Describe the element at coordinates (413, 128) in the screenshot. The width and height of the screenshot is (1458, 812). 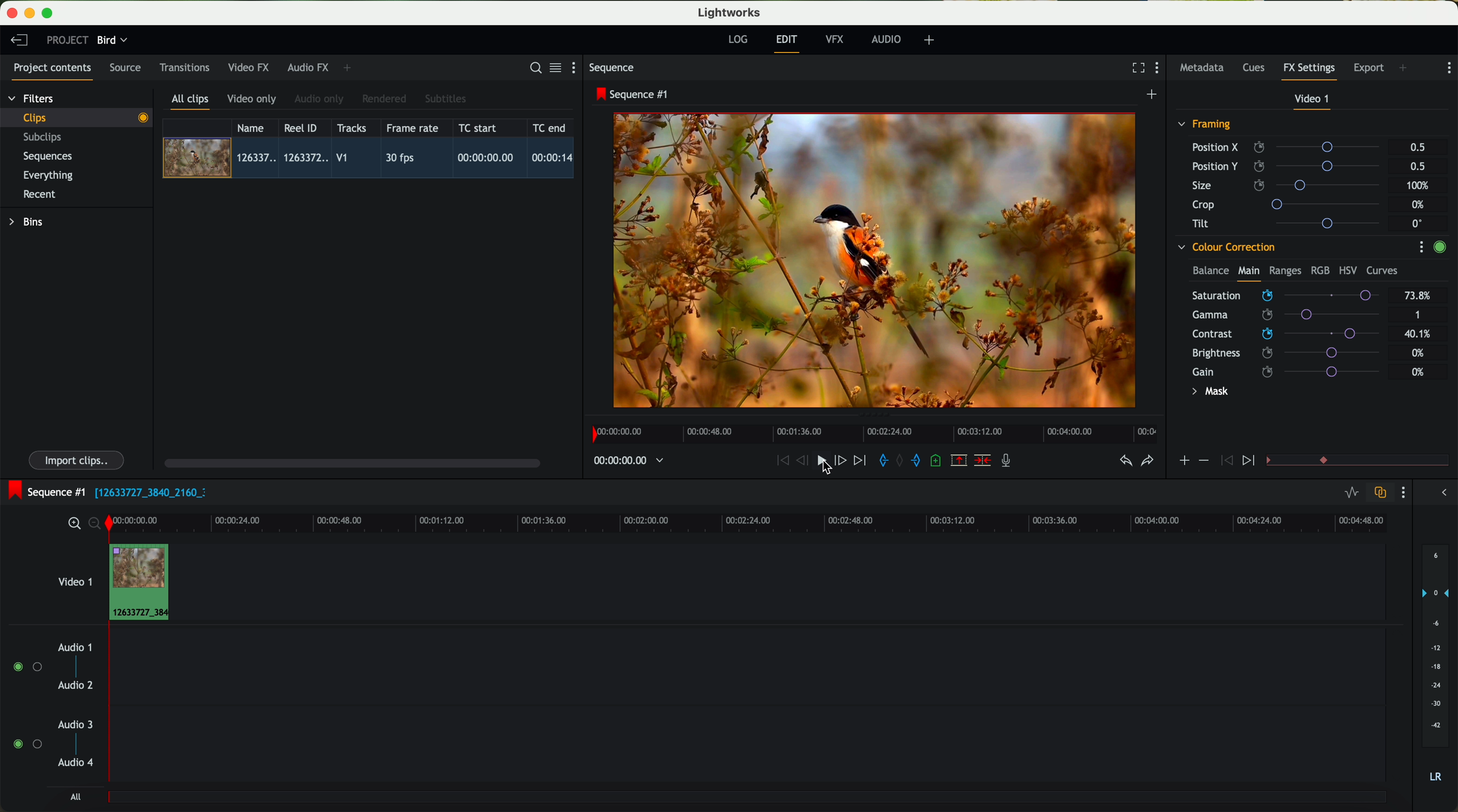
I see `frame rate` at that location.